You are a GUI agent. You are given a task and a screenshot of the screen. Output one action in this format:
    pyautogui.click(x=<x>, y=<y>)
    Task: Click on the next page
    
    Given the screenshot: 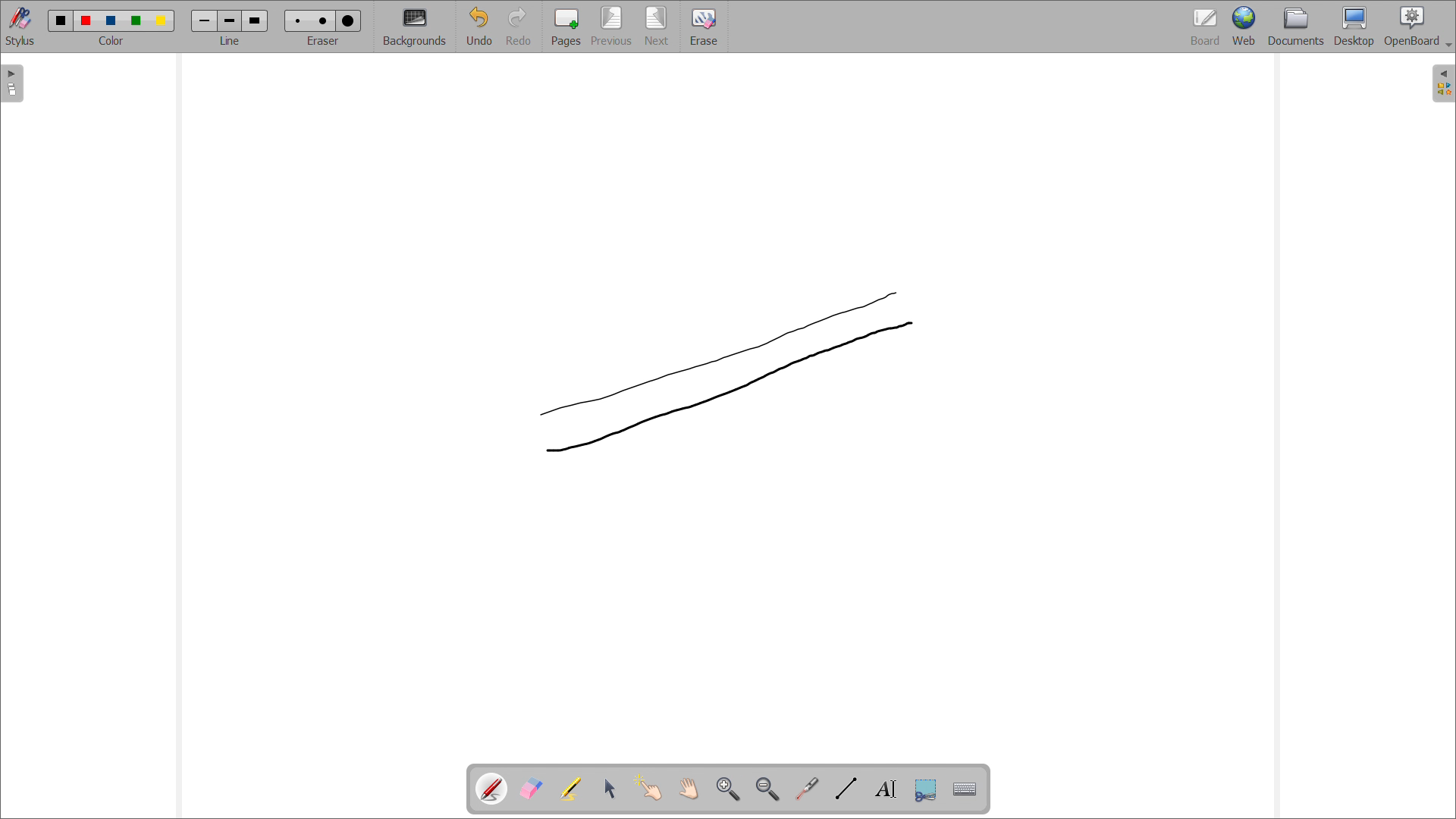 What is the action you would take?
    pyautogui.click(x=657, y=27)
    